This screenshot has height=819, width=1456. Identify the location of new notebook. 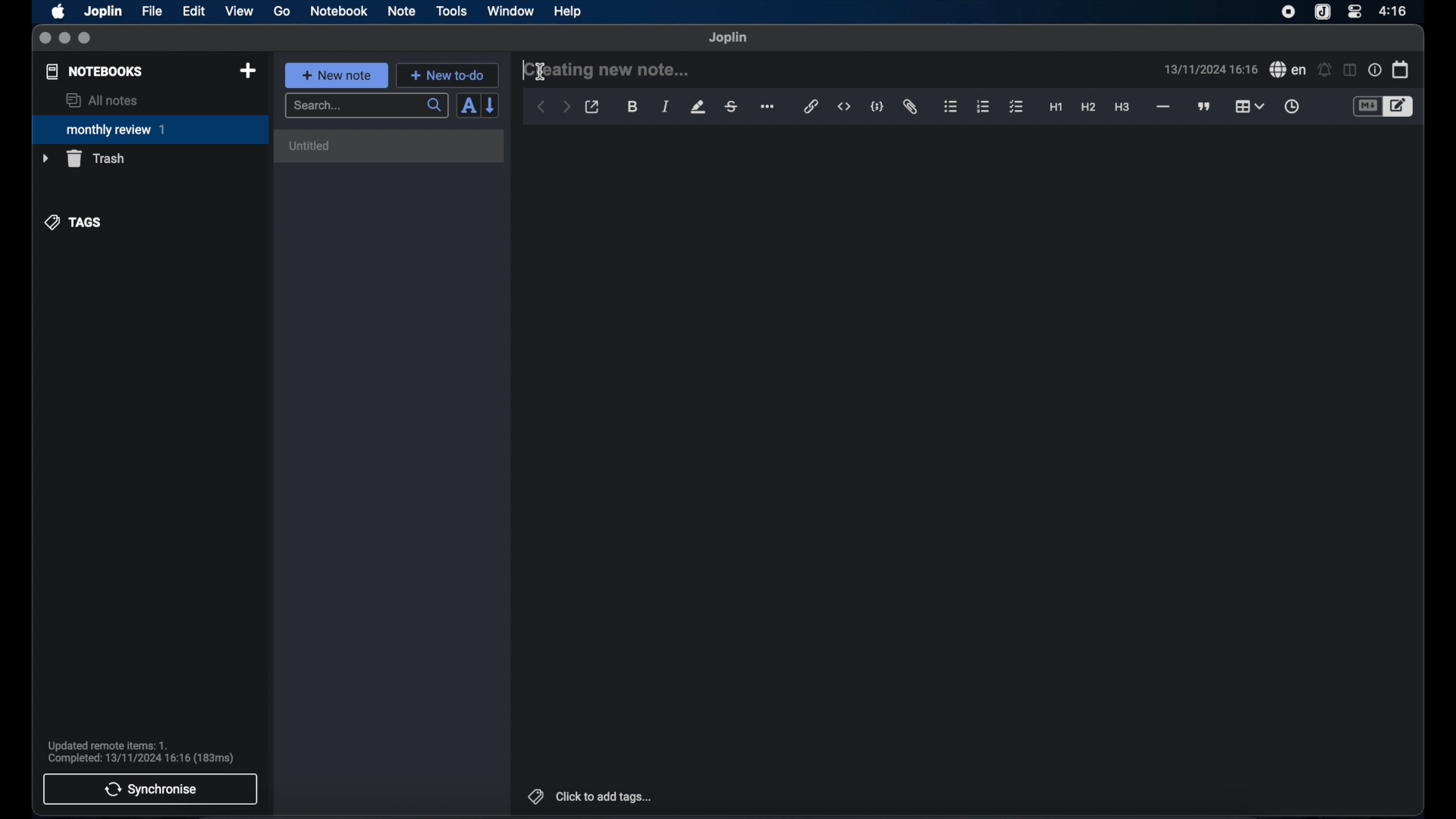
(247, 71).